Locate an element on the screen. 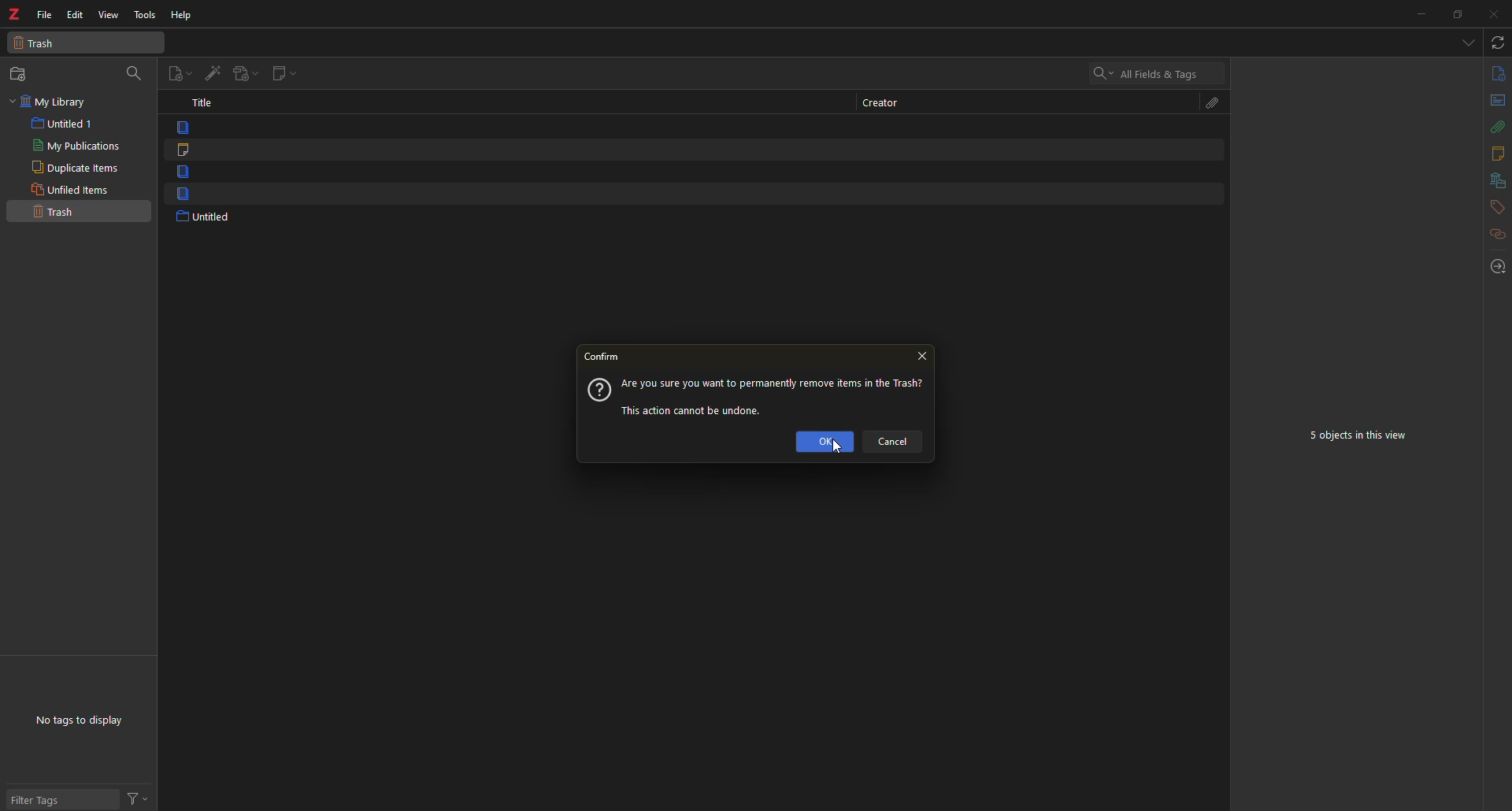  file is located at coordinates (44, 14).